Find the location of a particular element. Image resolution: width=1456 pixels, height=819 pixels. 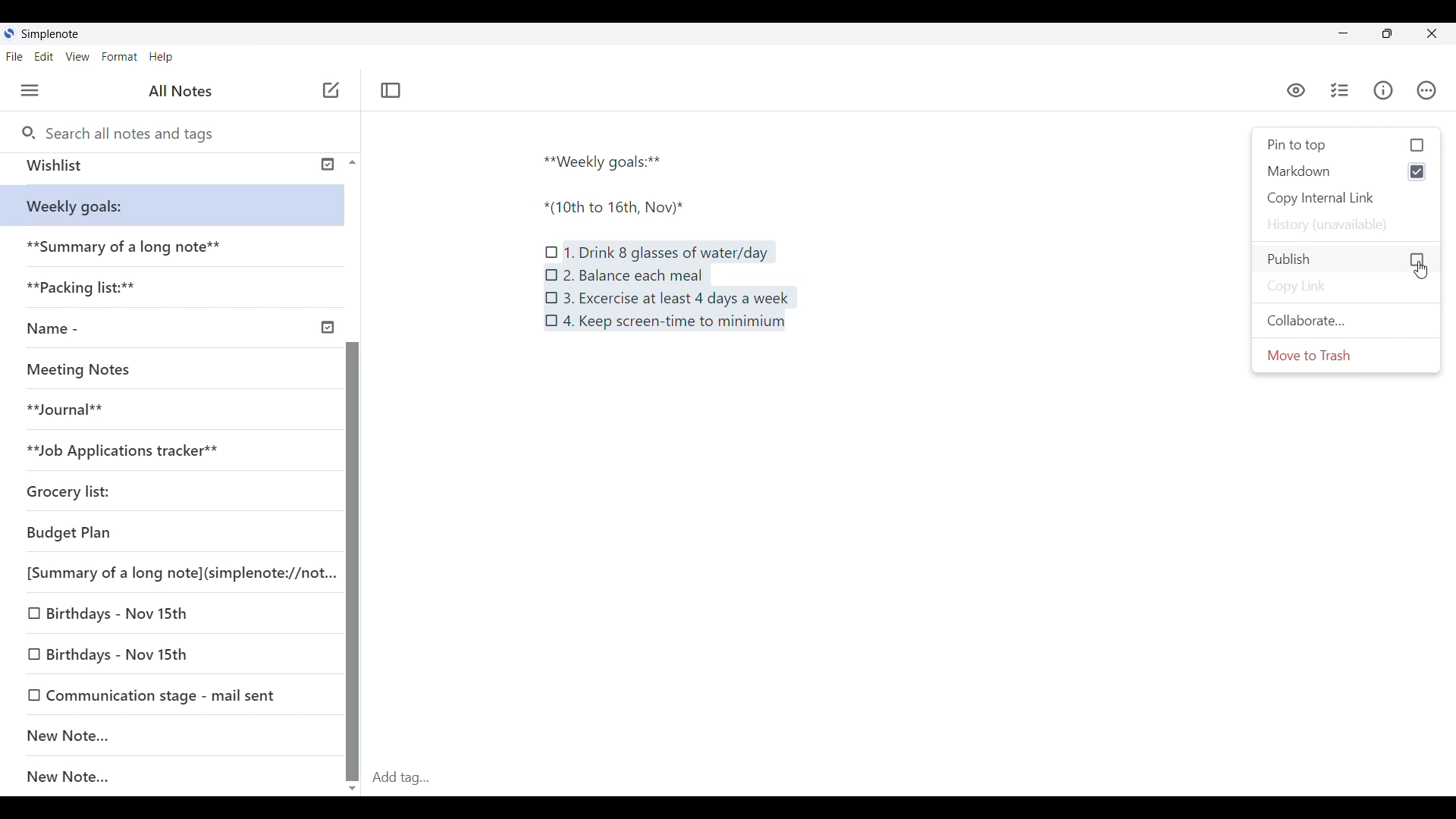

scroll down button is located at coordinates (353, 783).